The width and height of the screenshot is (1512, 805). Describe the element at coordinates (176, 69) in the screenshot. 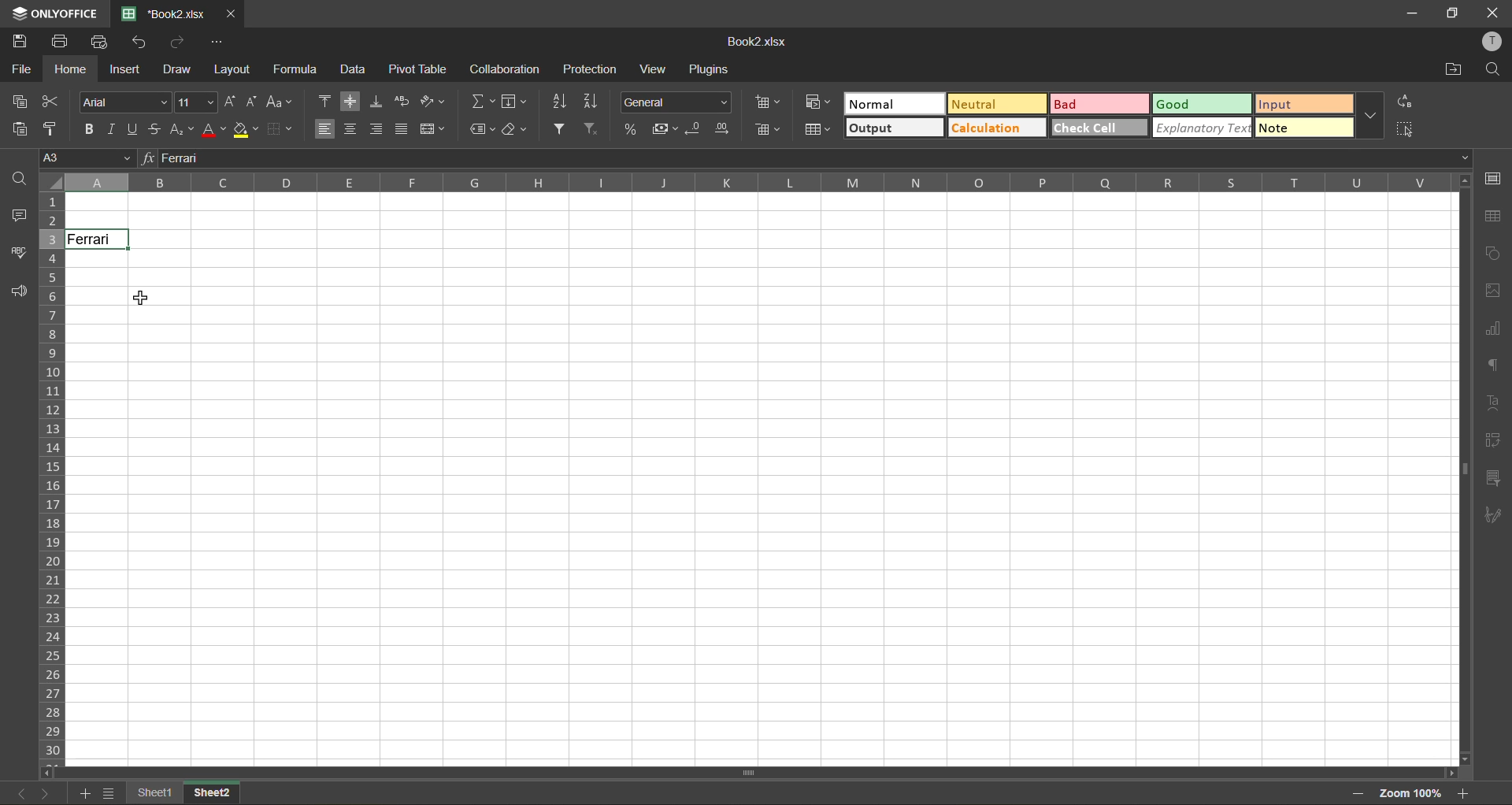

I see `draw` at that location.